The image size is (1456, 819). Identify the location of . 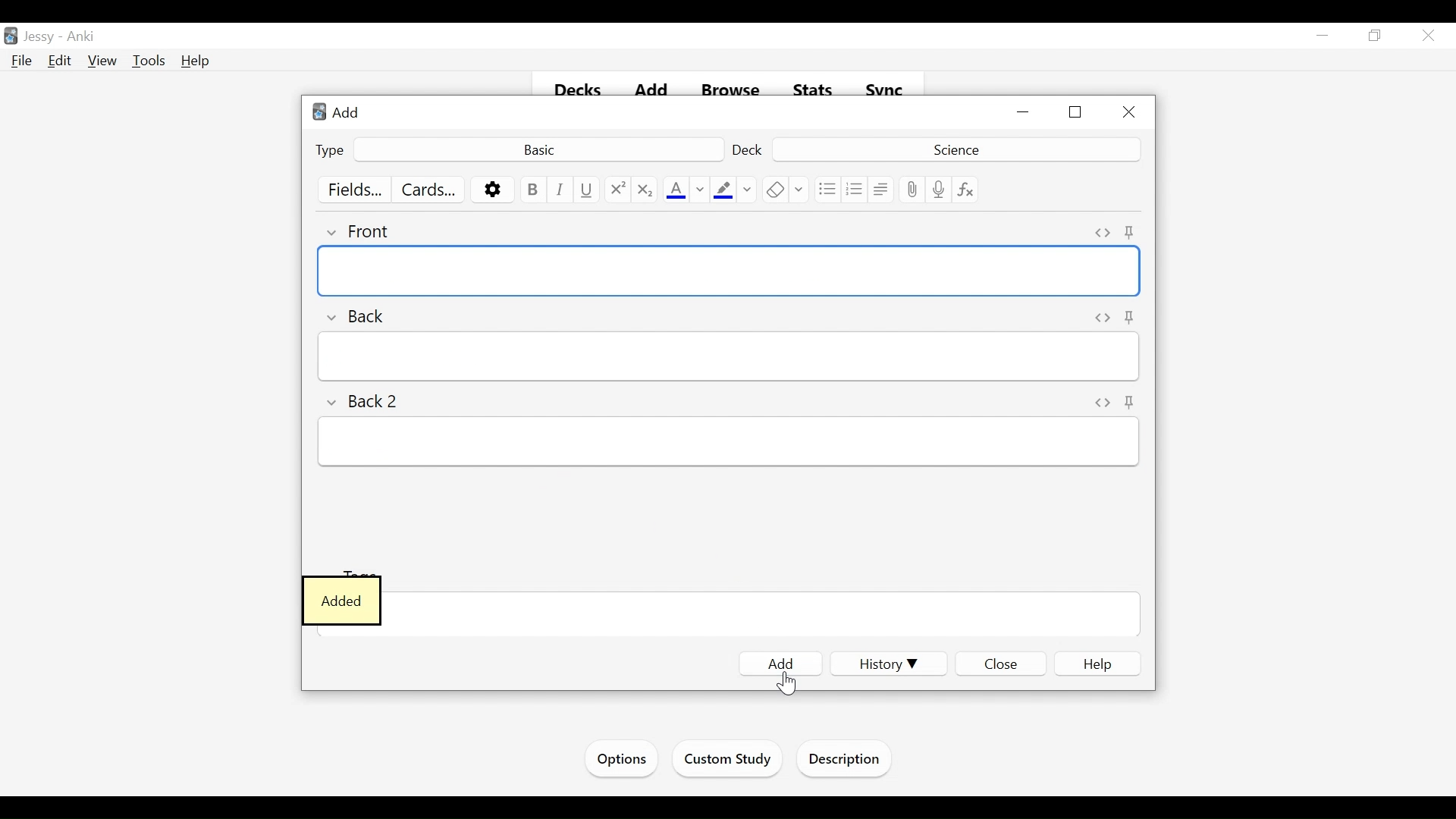
(1132, 317).